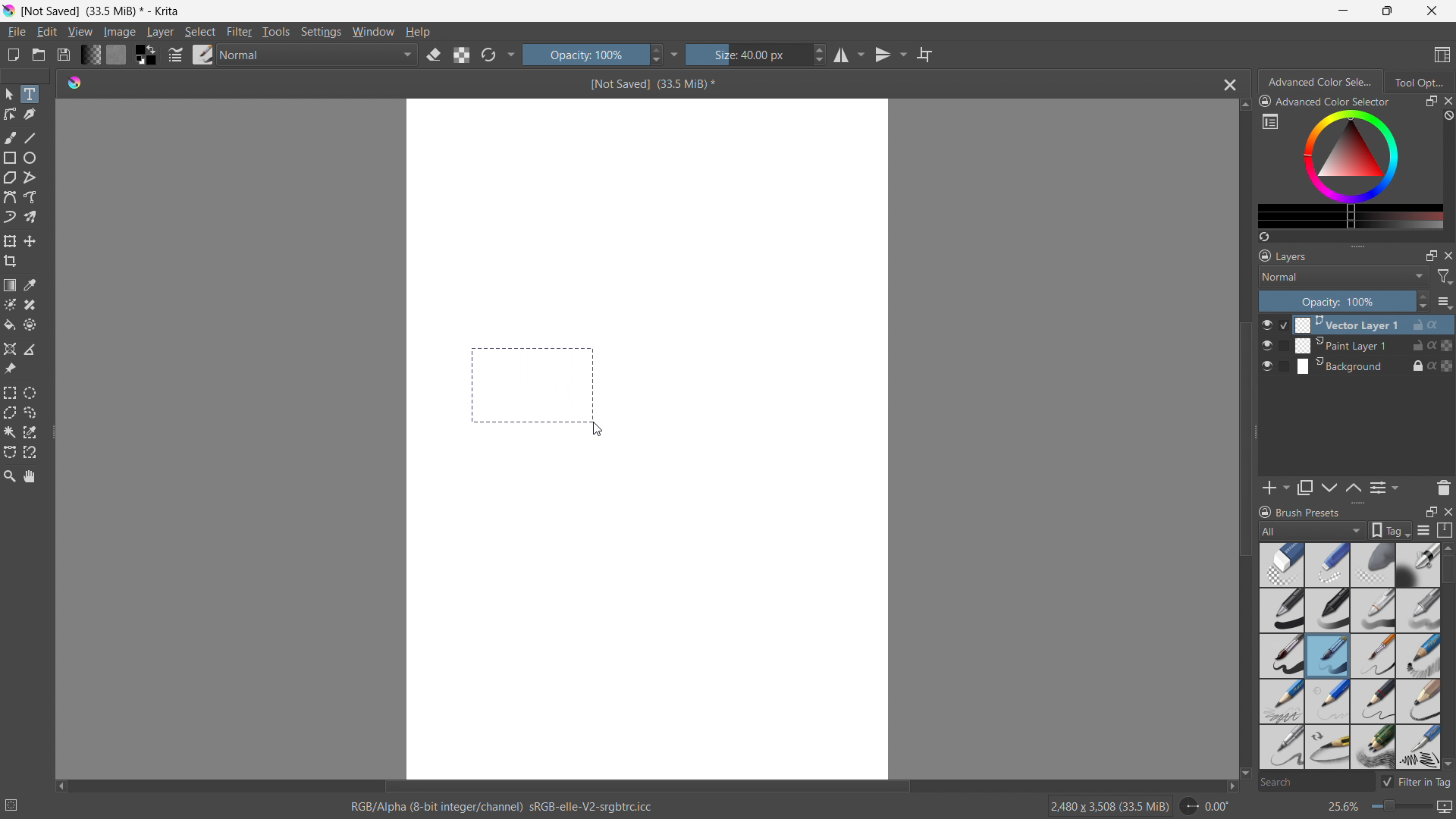 This screenshot has width=1456, height=819. I want to click on small tip pencil, so click(1327, 748).